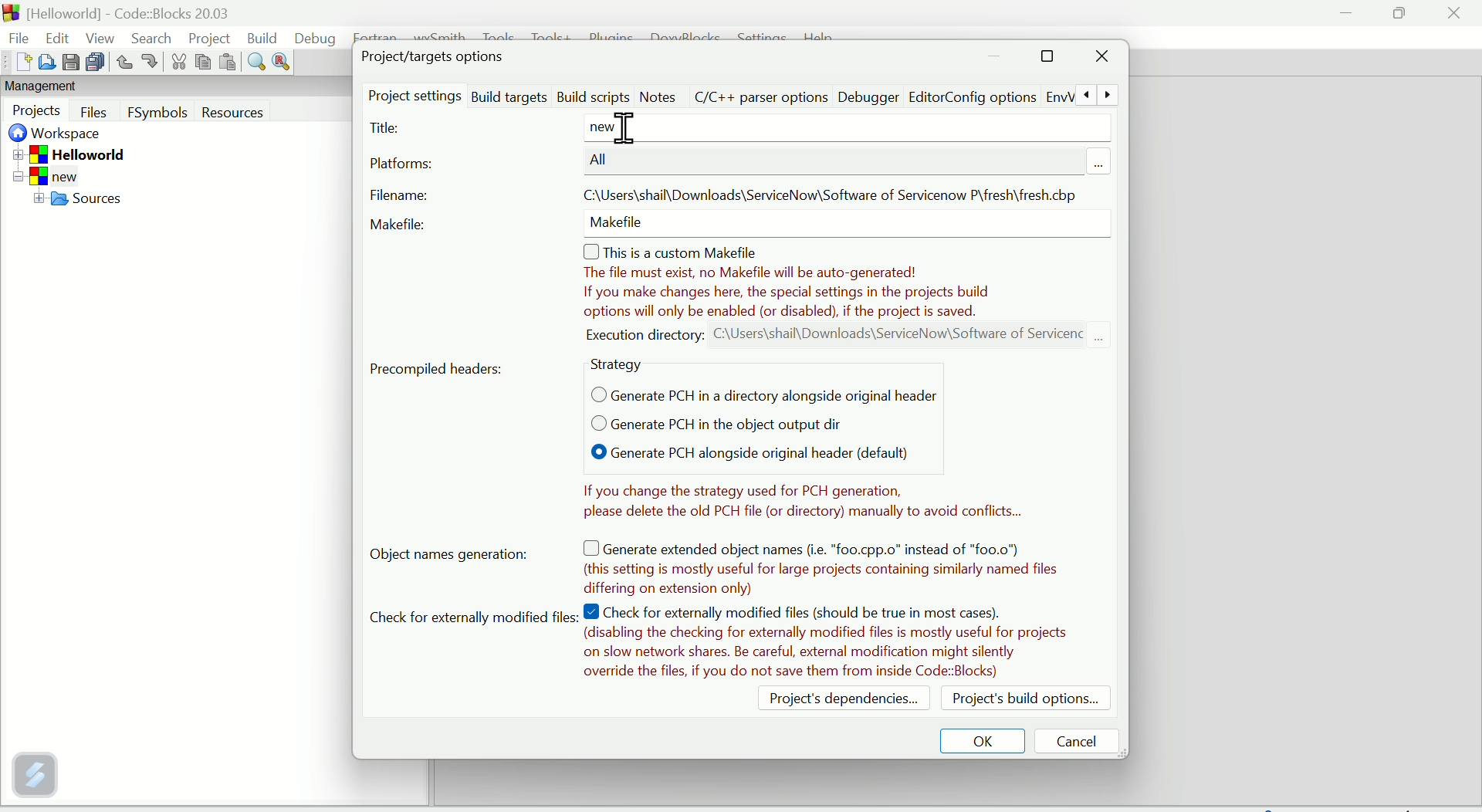 The width and height of the screenshot is (1482, 812). What do you see at coordinates (615, 127) in the screenshot?
I see `new` at bounding box center [615, 127].